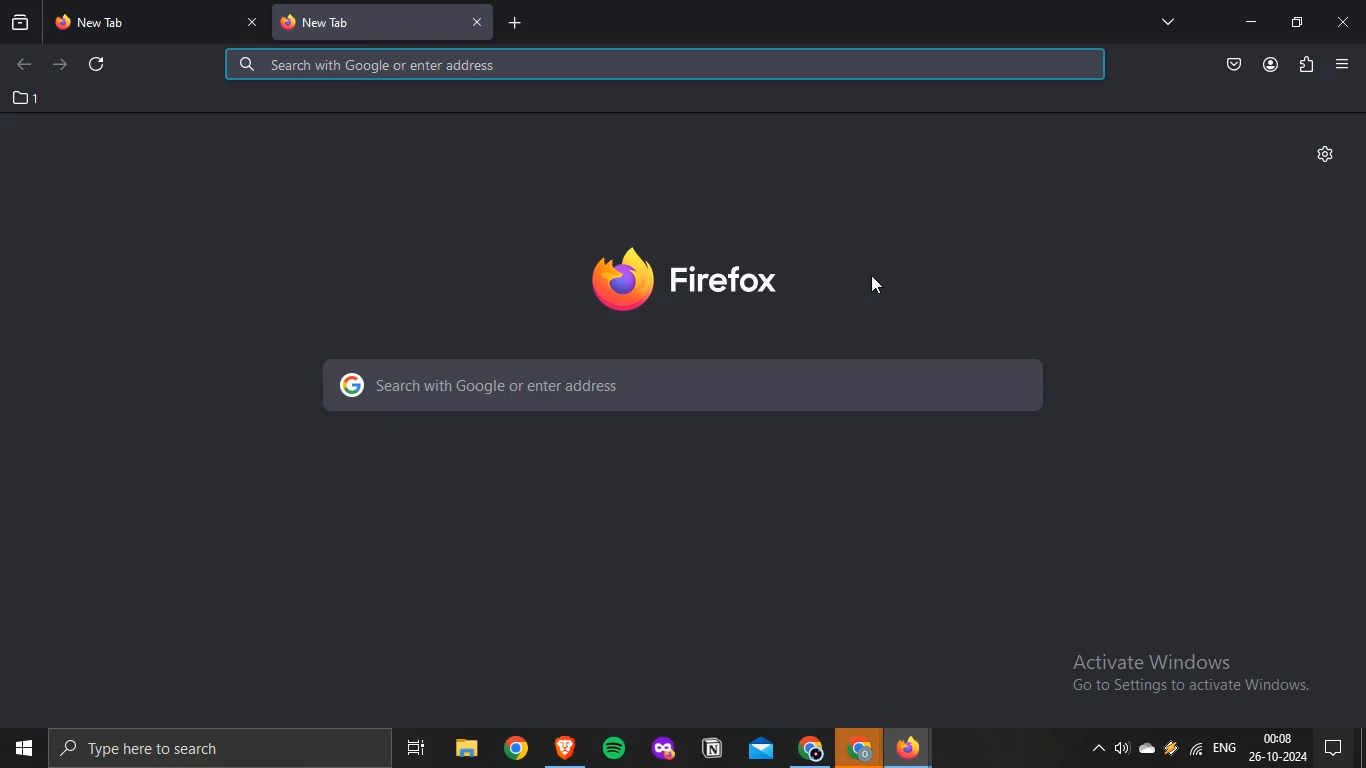 The image size is (1366, 768). I want to click on back, so click(23, 65).